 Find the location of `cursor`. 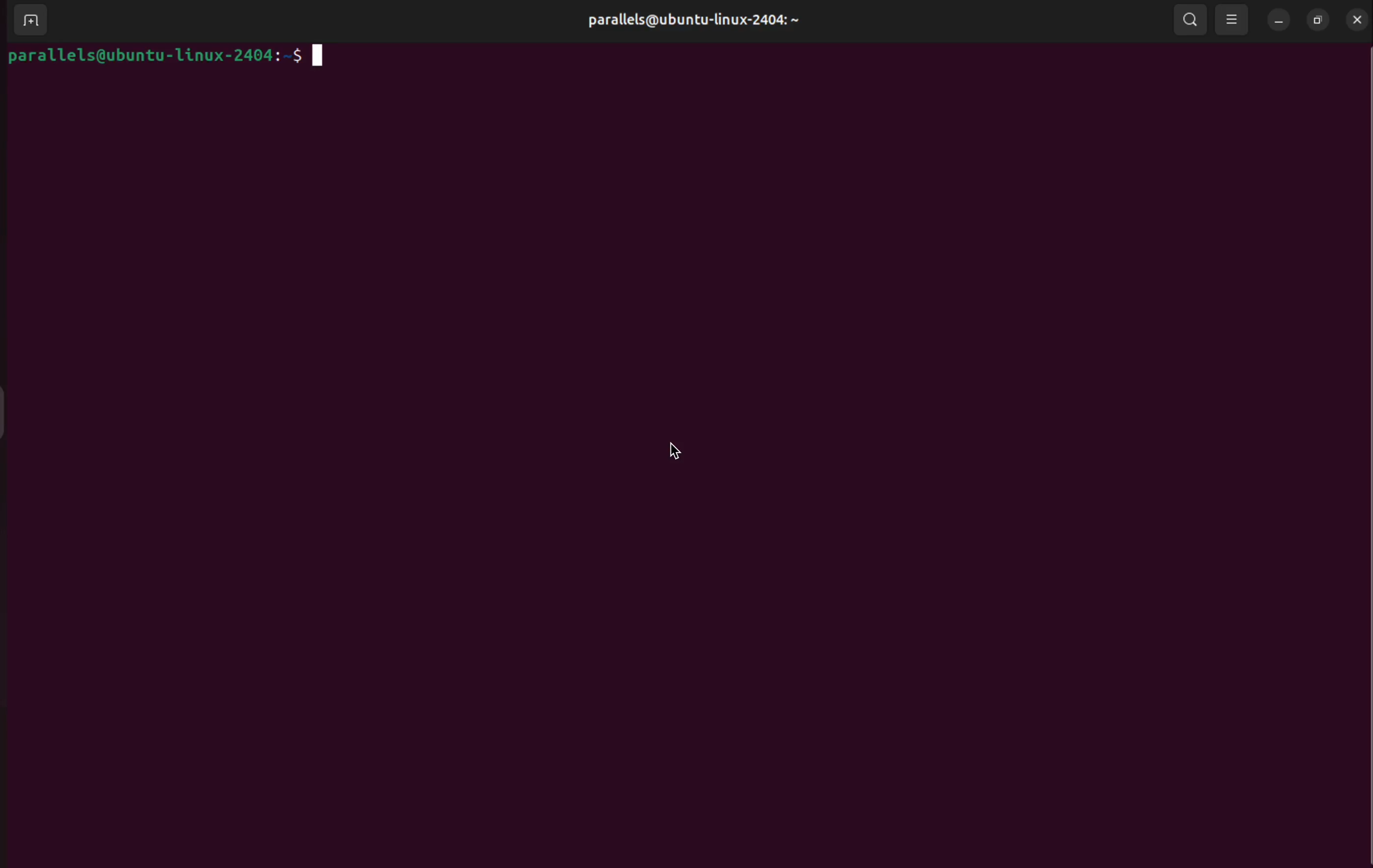

cursor is located at coordinates (673, 449).